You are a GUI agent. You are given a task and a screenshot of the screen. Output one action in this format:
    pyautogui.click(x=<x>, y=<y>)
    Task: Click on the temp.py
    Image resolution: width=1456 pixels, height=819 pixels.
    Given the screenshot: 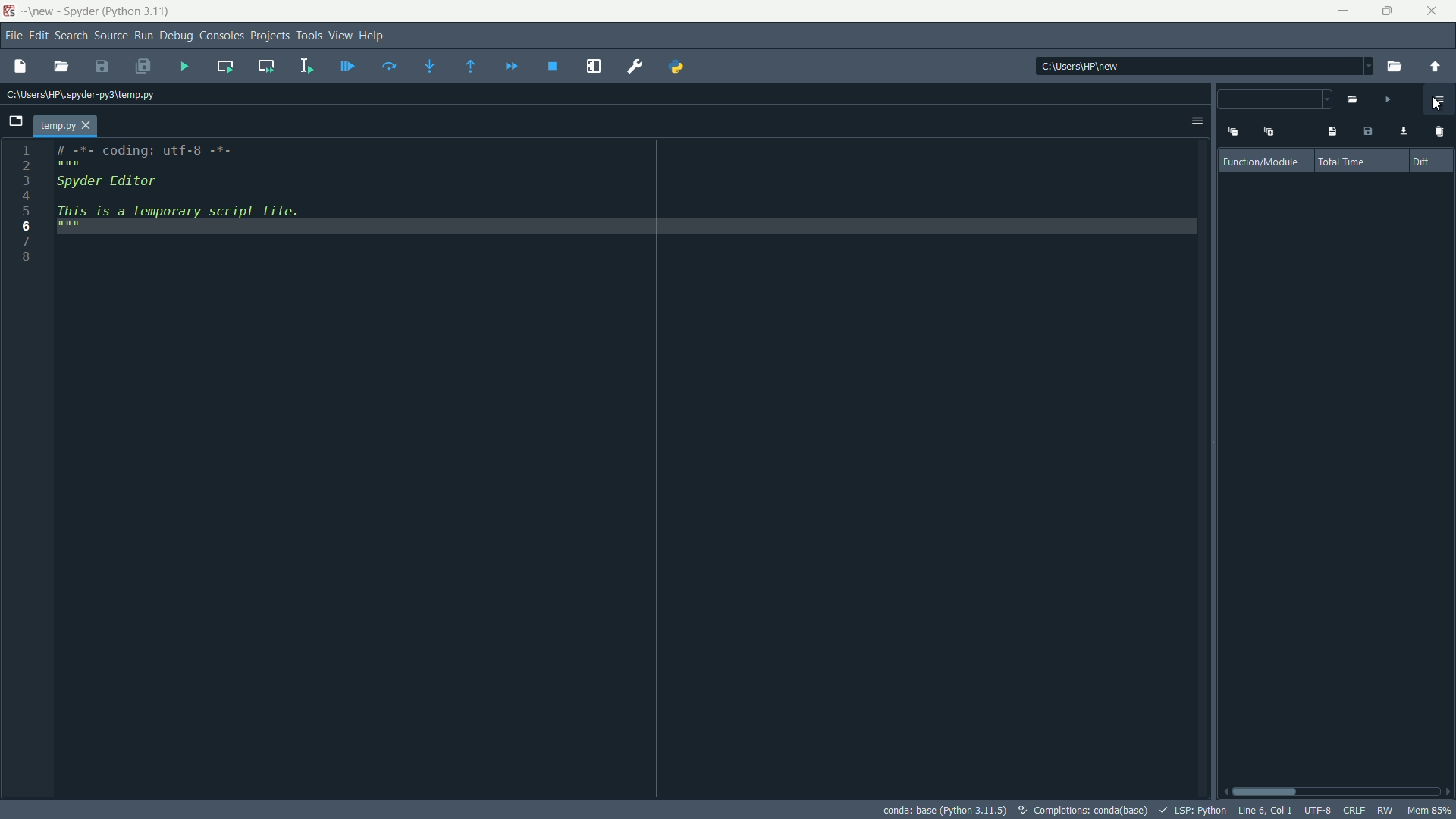 What is the action you would take?
    pyautogui.click(x=67, y=126)
    